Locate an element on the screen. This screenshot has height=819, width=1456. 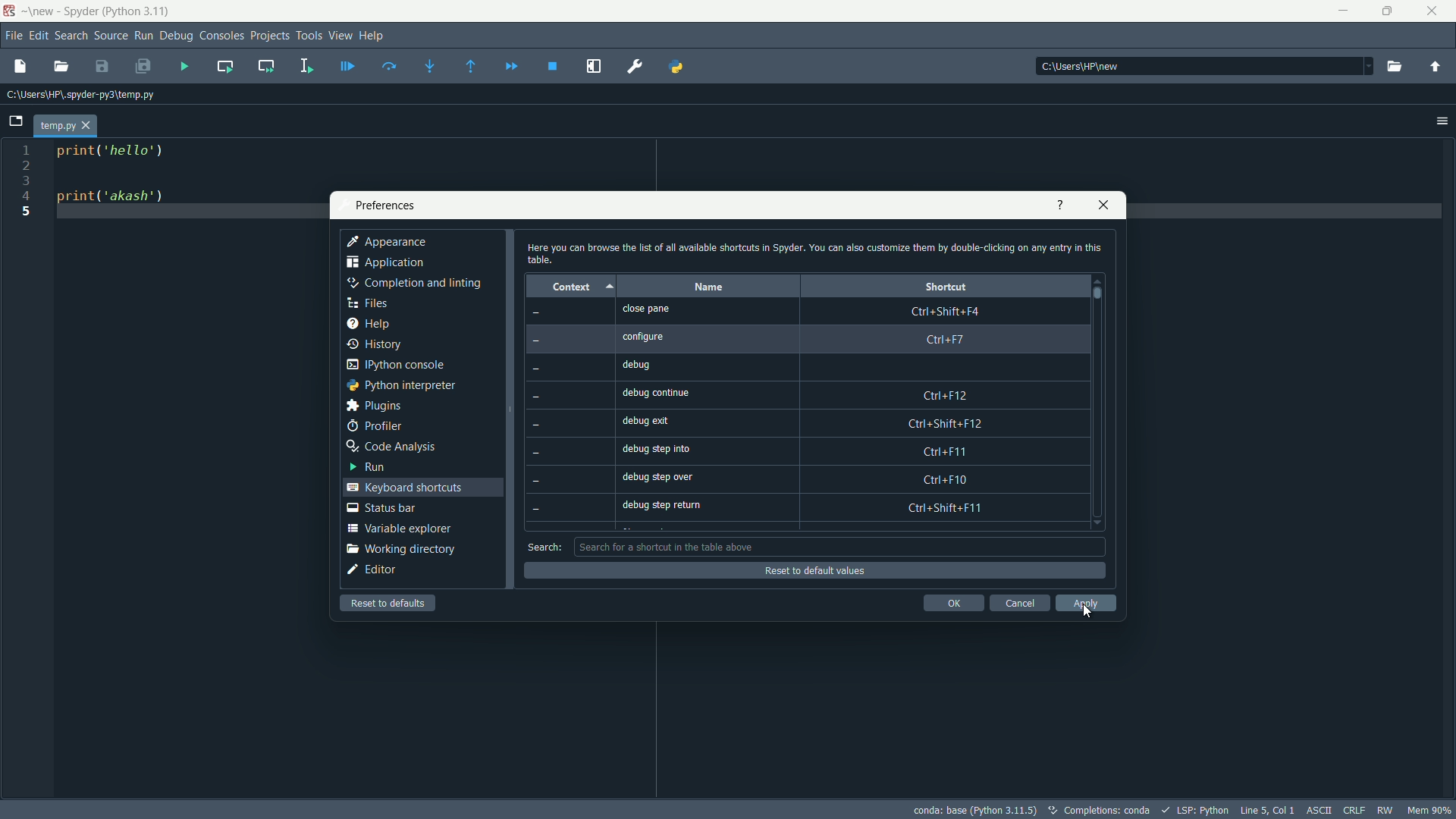
Correct Code  is located at coordinates (1049, 810).